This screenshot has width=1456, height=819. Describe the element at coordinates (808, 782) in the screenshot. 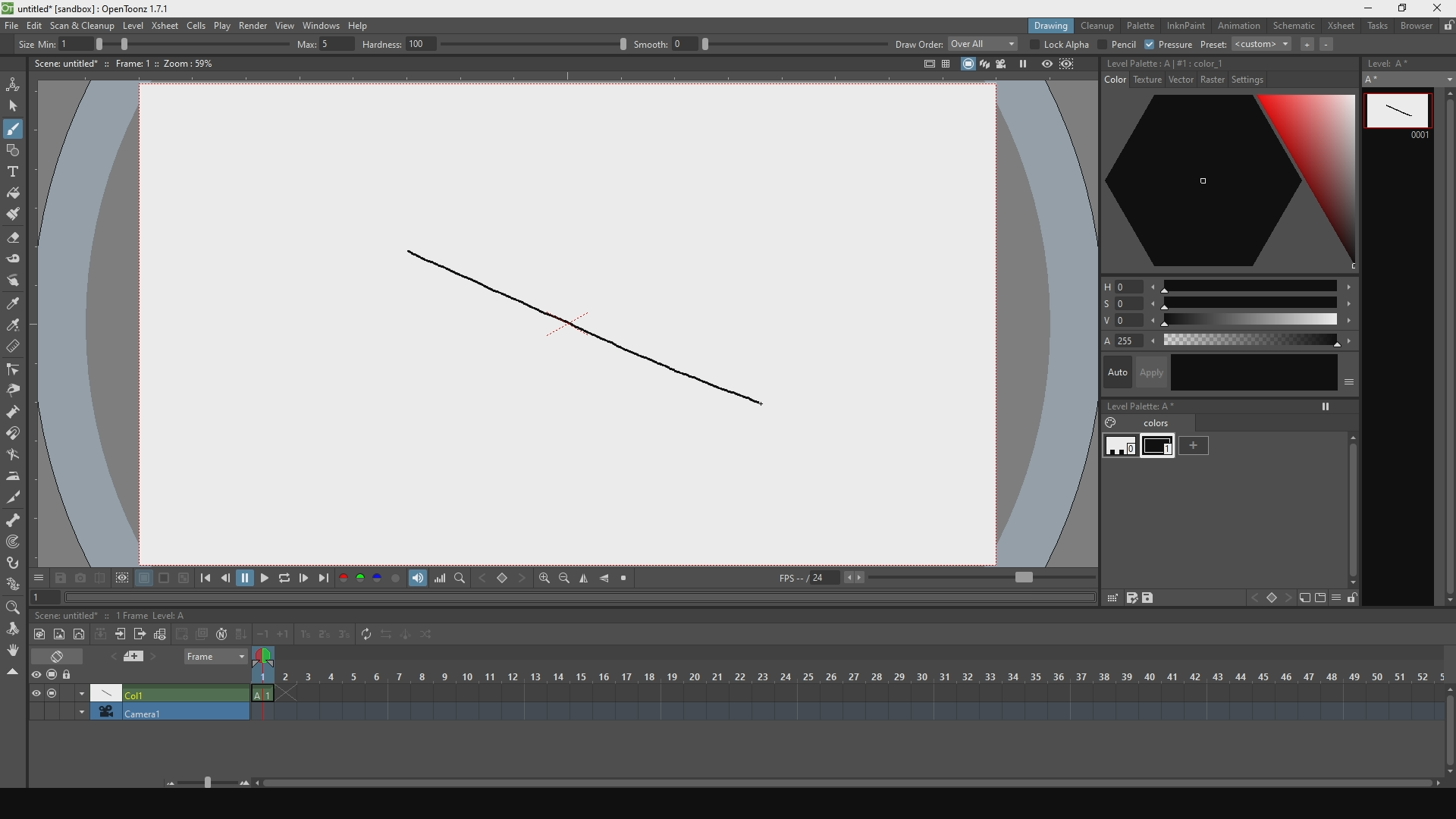

I see `horizontal slider` at that location.